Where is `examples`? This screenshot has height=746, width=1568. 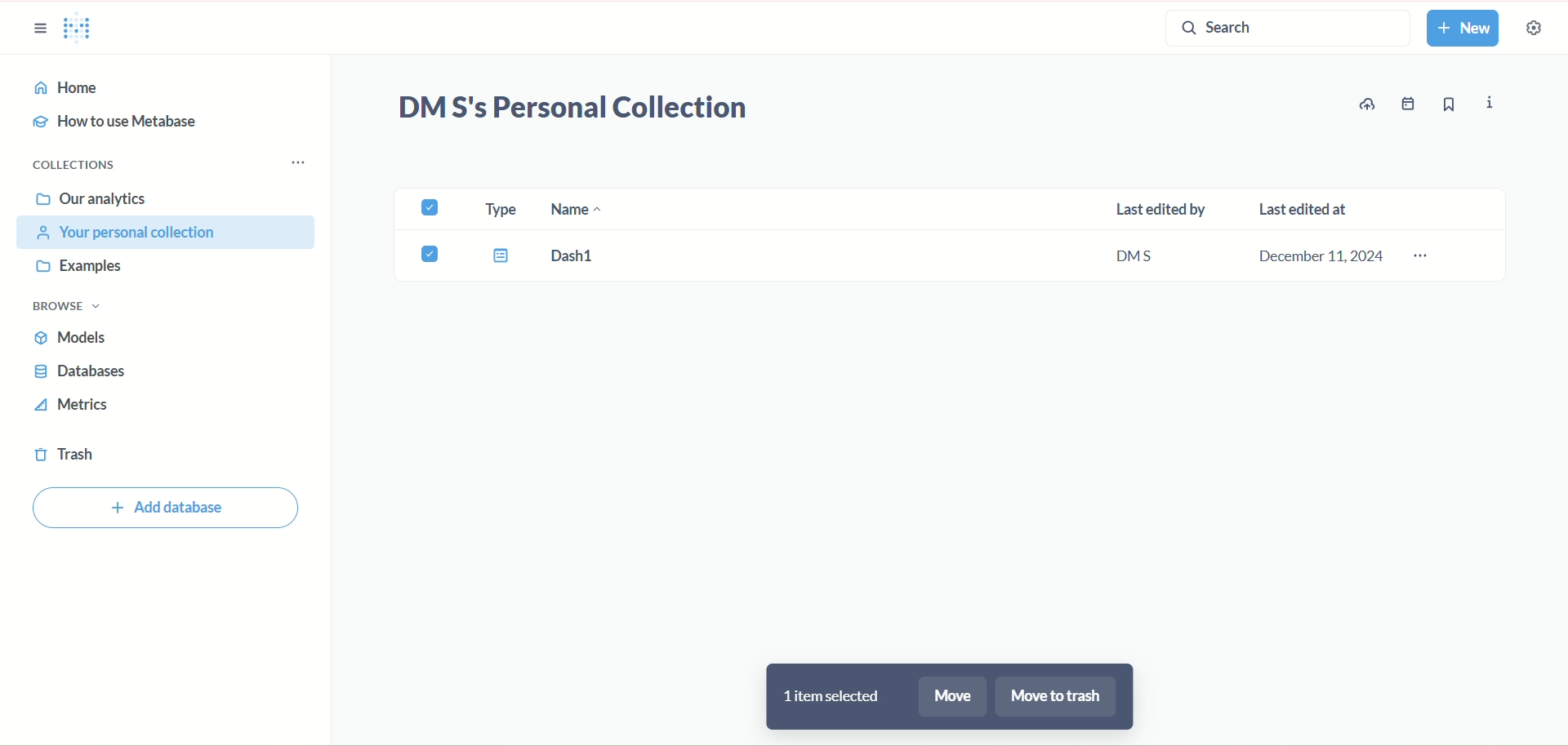 examples is located at coordinates (82, 265).